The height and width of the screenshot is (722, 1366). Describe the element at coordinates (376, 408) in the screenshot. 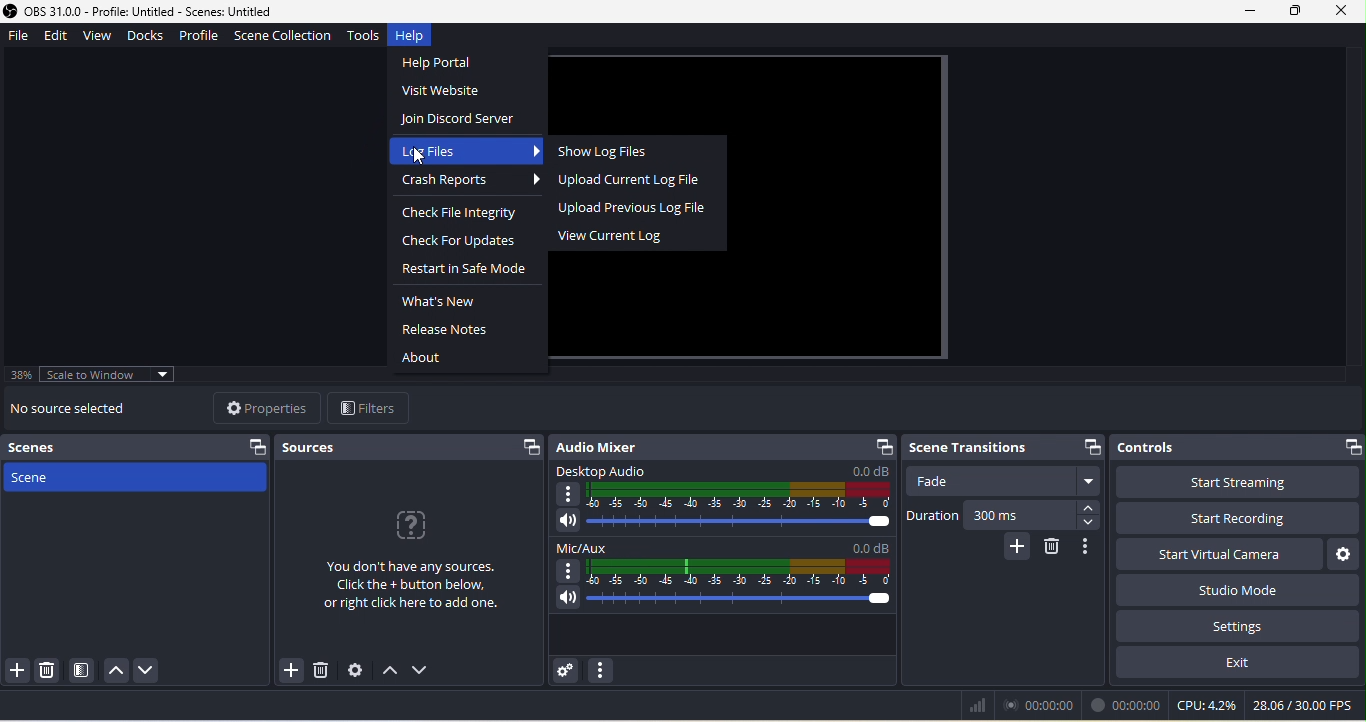

I see `filter` at that location.